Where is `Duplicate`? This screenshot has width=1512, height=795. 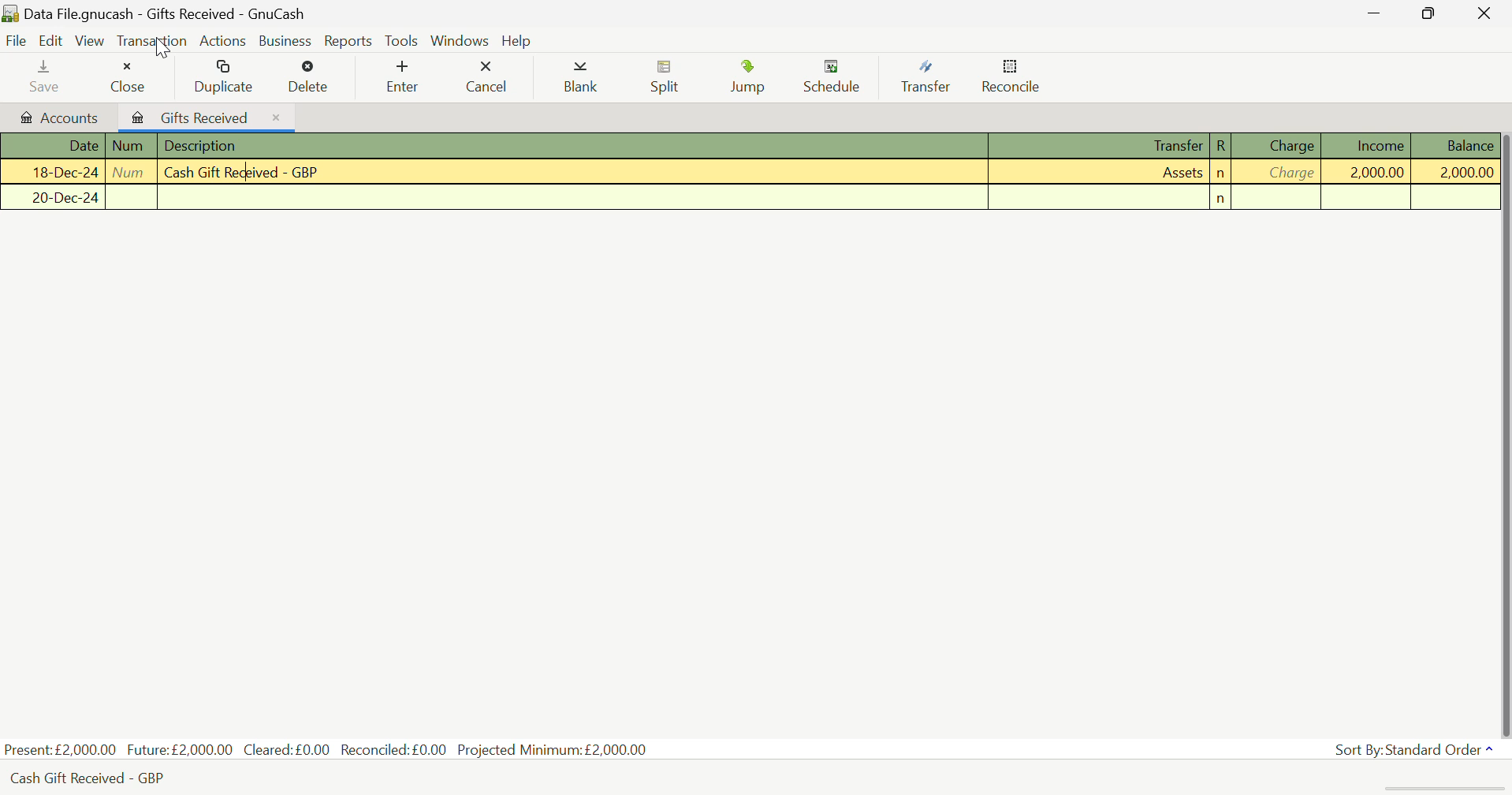
Duplicate is located at coordinates (225, 76).